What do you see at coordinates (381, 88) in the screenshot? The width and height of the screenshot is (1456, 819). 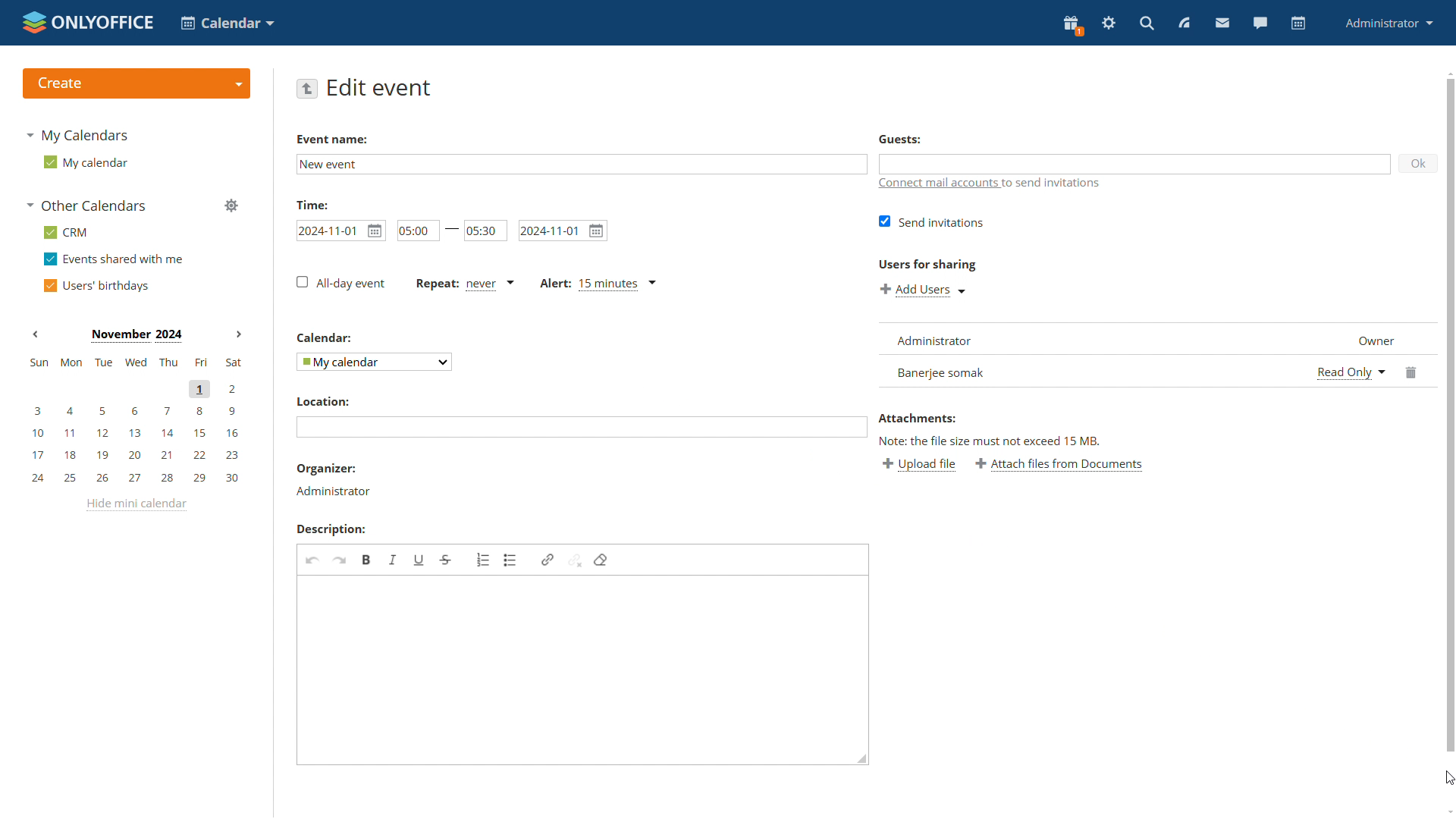 I see `edit event` at bounding box center [381, 88].